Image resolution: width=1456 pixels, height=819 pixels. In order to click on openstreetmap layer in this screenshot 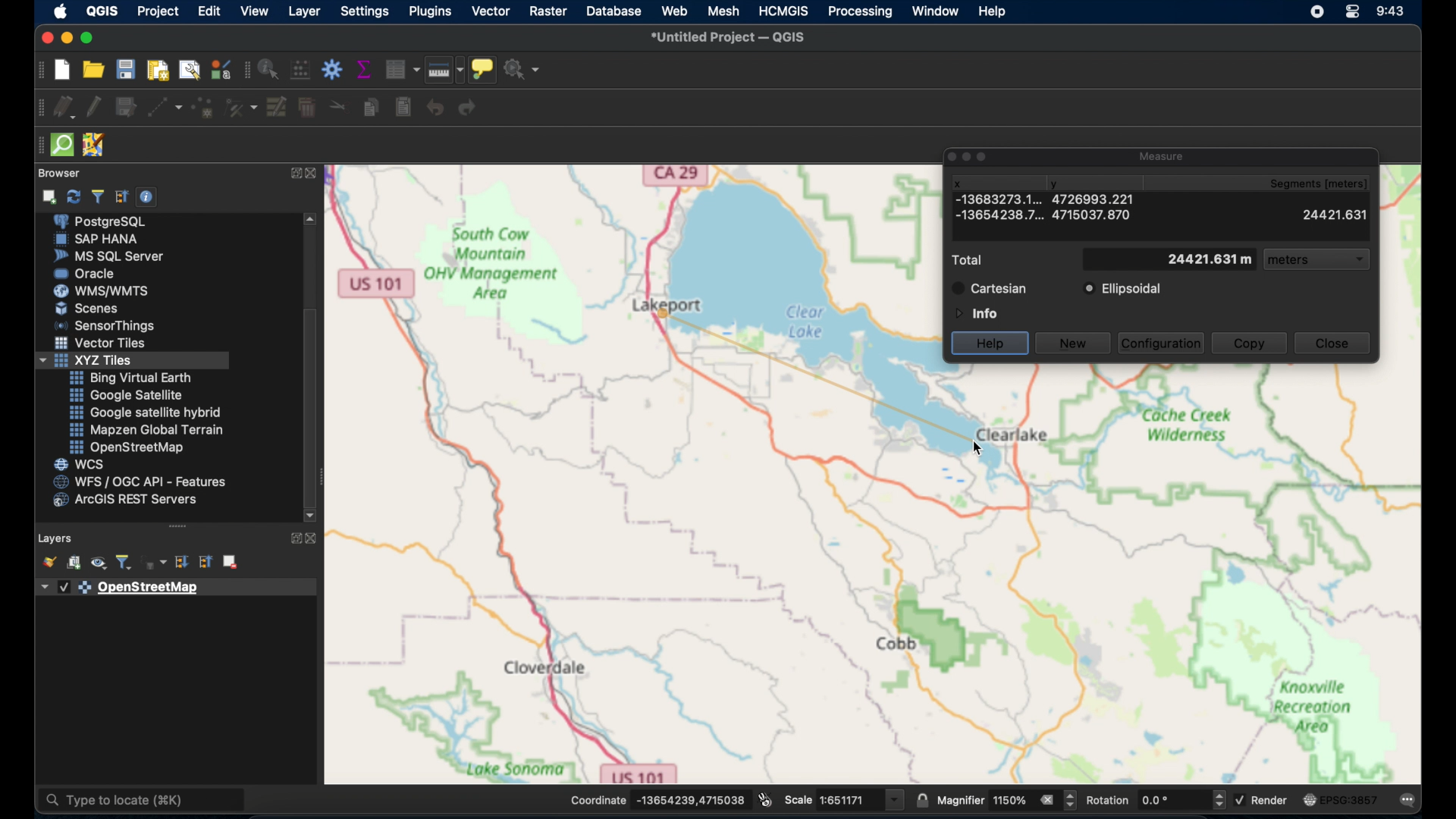, I will do `click(121, 588)`.